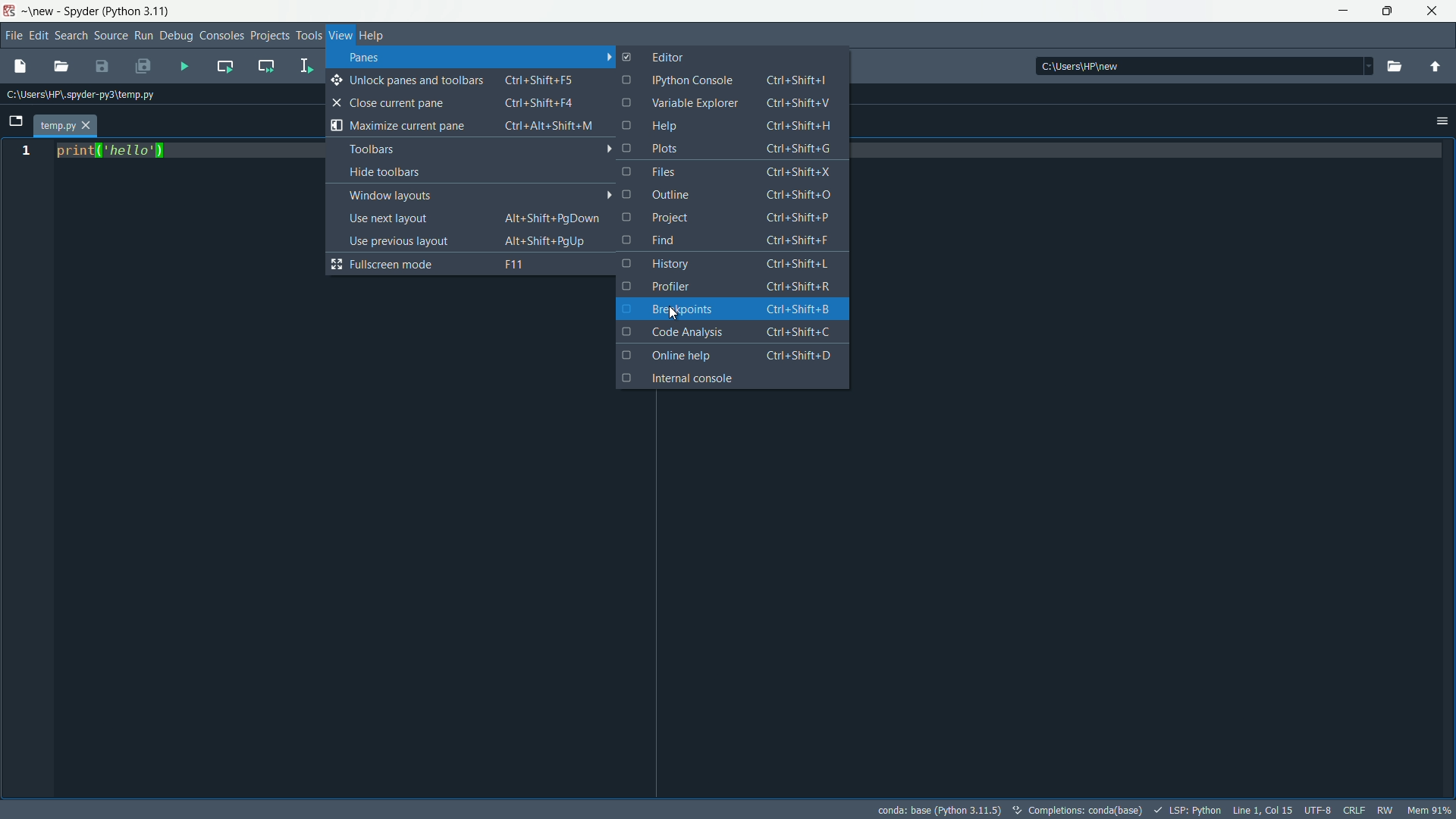 The image size is (1456, 819). I want to click on use previous layout, so click(477, 240).